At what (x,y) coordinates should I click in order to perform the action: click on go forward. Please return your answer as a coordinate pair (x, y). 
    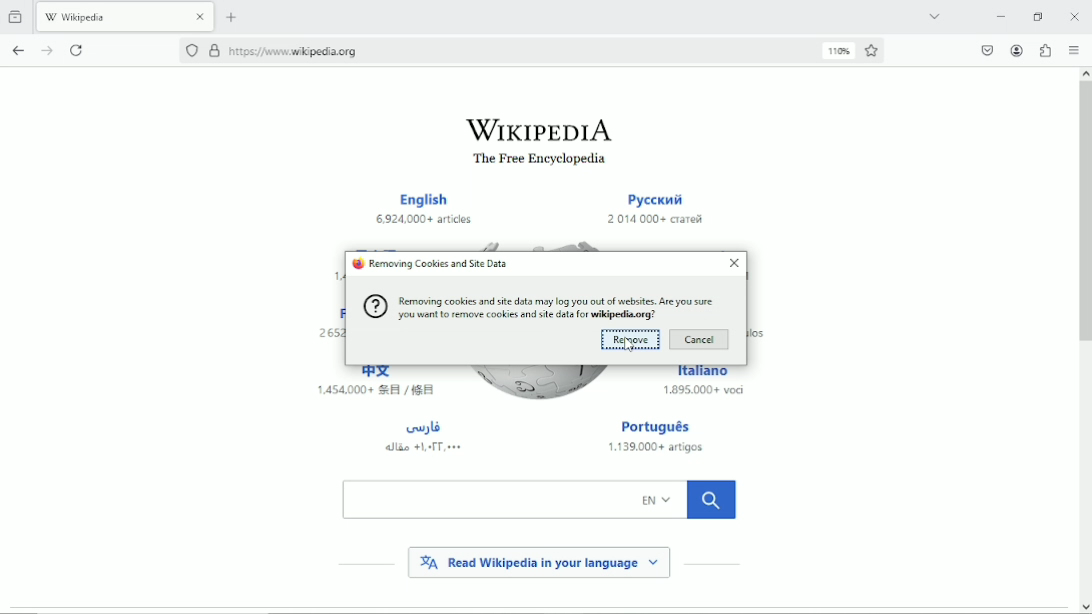
    Looking at the image, I should click on (48, 50).